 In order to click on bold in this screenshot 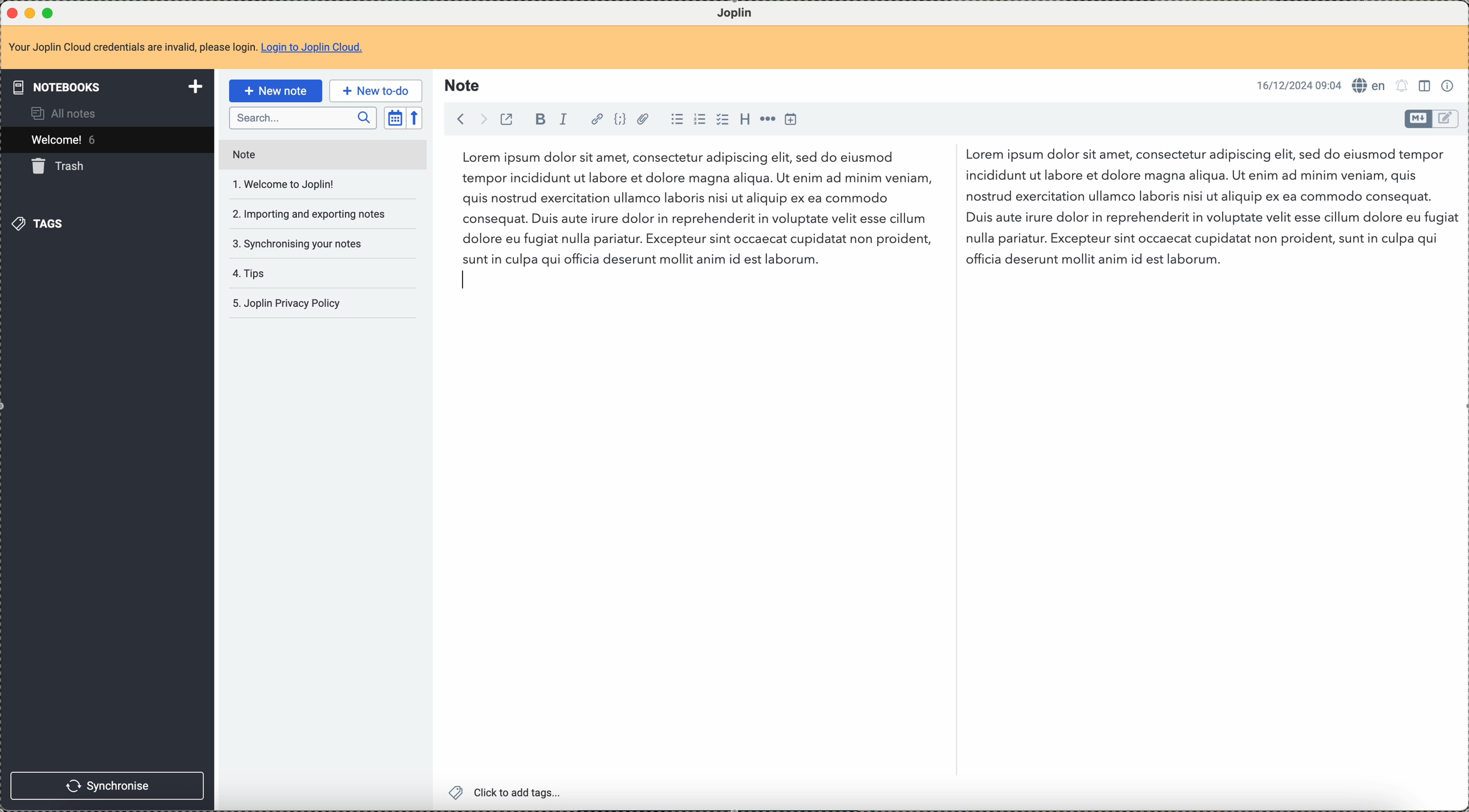, I will do `click(540, 119)`.